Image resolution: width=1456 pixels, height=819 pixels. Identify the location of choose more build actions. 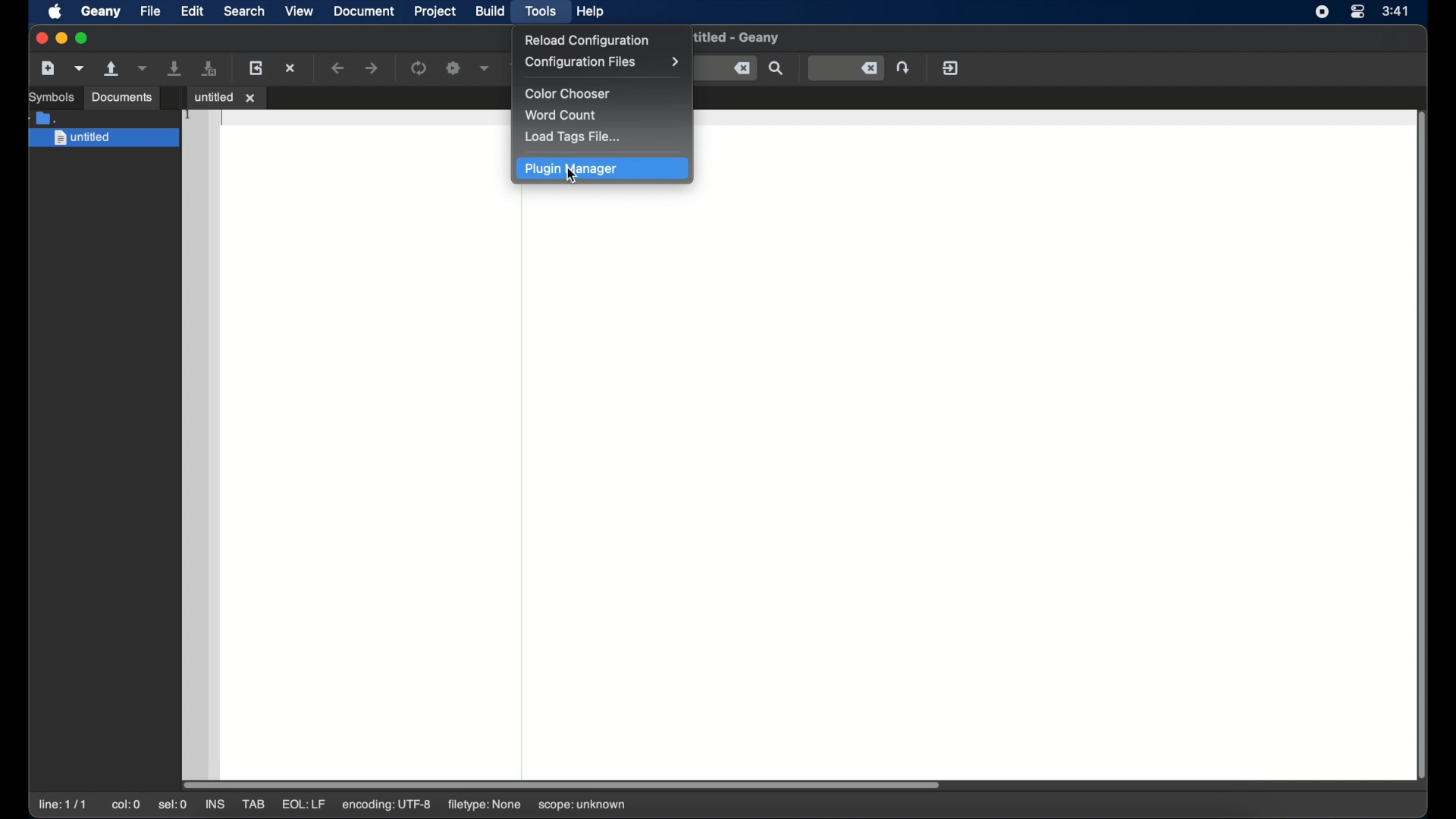
(485, 68).